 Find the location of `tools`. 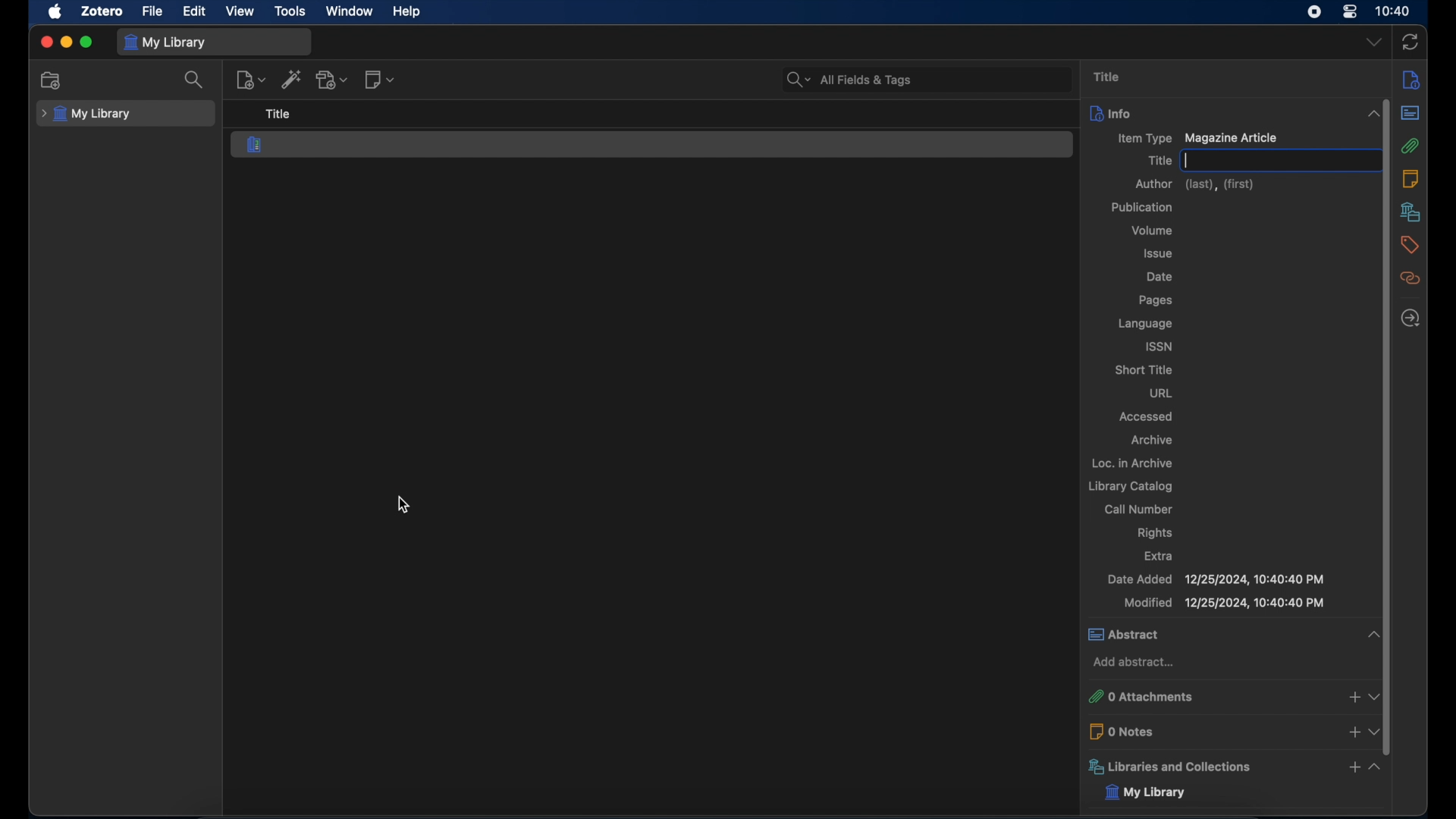

tools is located at coordinates (290, 11).